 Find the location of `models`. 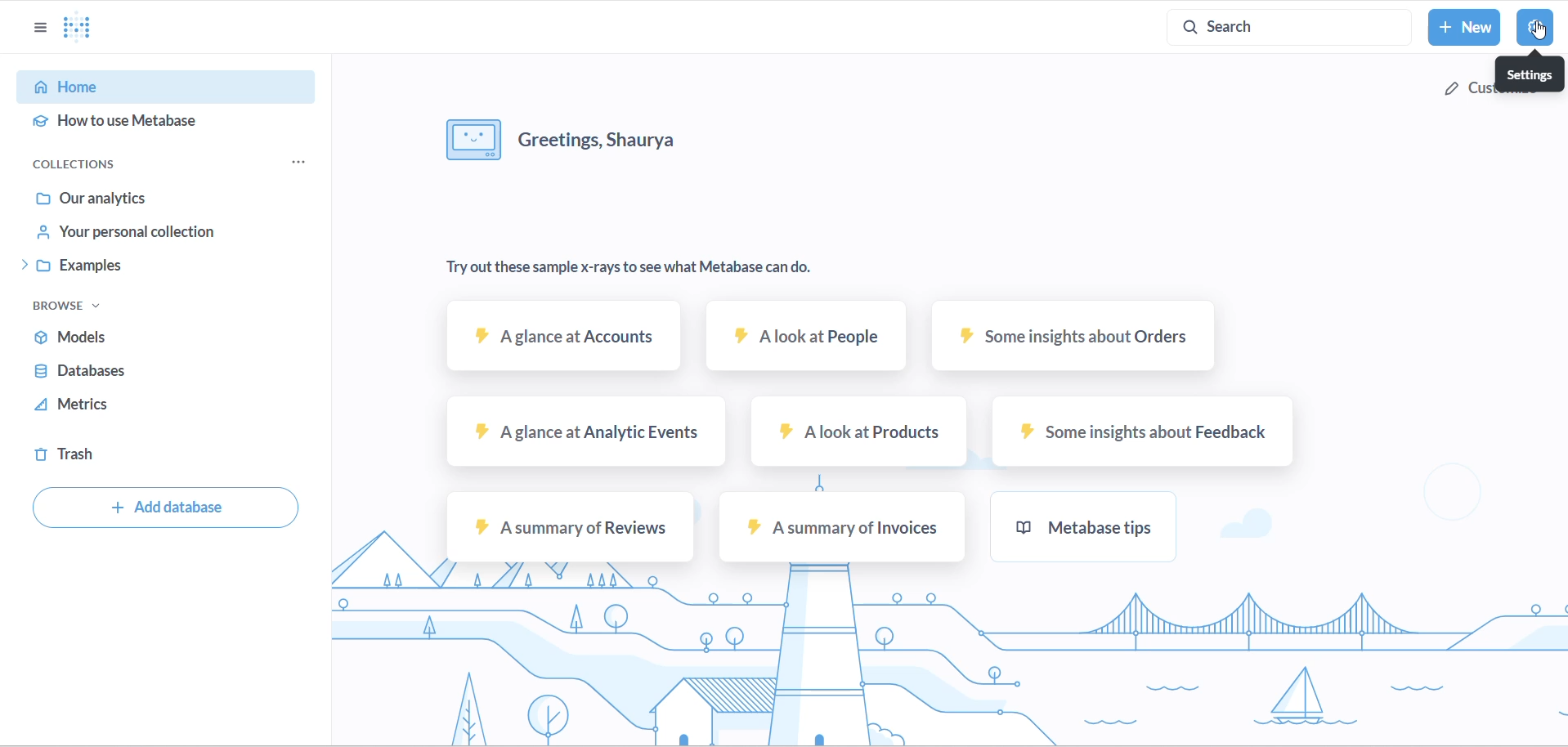

models is located at coordinates (127, 336).